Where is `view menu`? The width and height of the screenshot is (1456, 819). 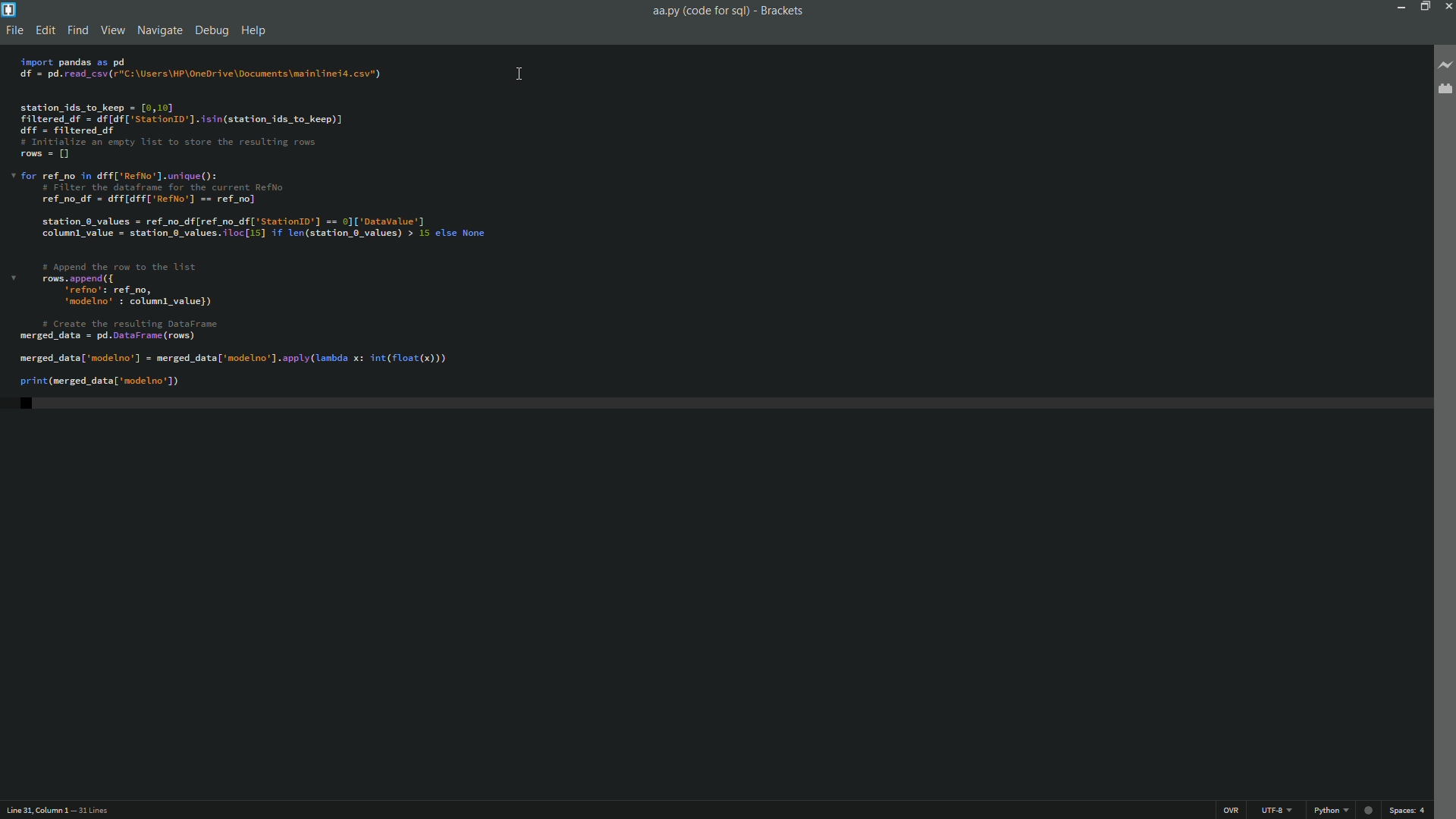 view menu is located at coordinates (115, 30).